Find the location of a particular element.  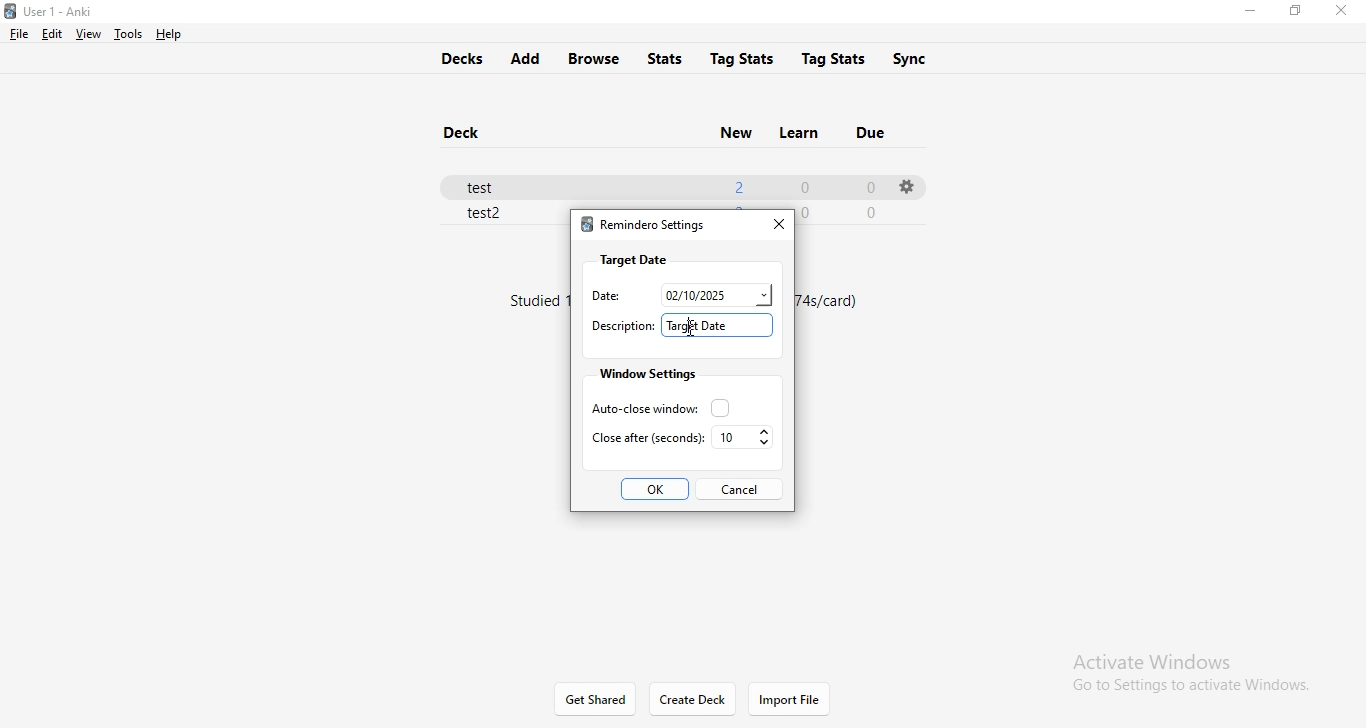

target date is located at coordinates (720, 325).